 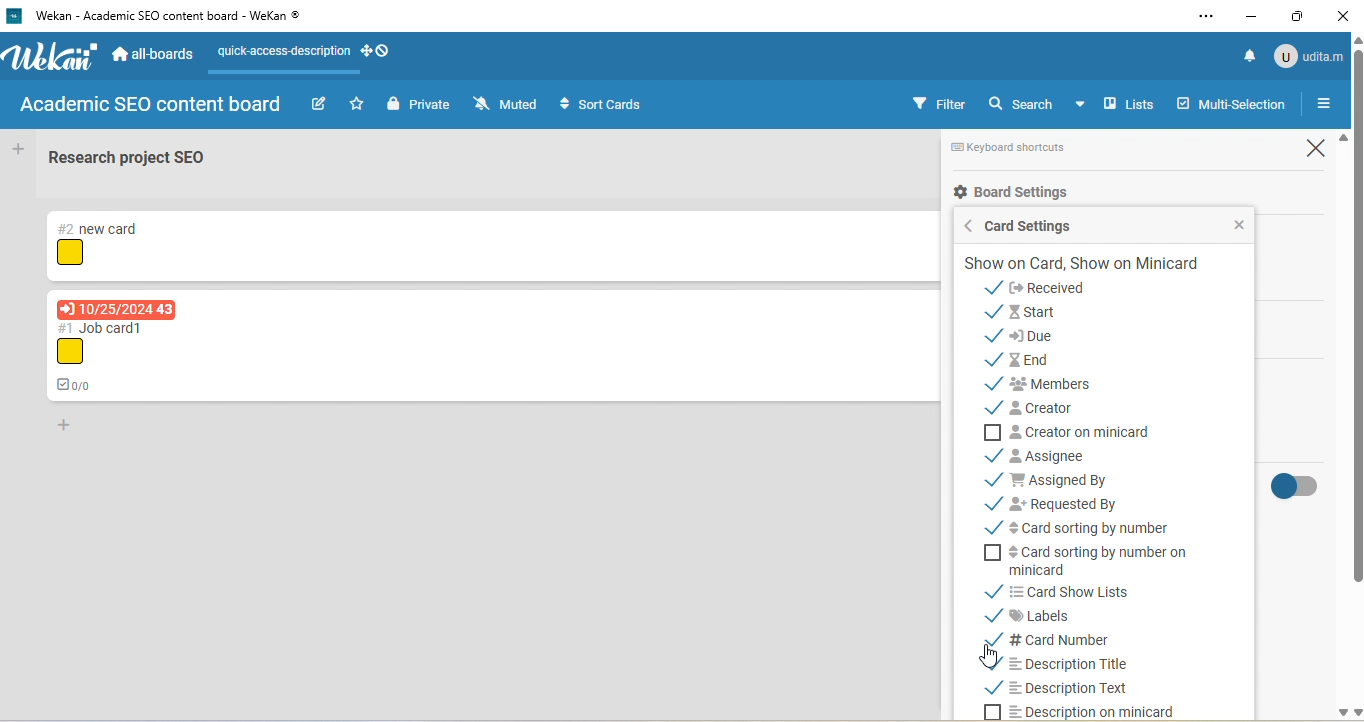 What do you see at coordinates (505, 103) in the screenshot?
I see `muted` at bounding box center [505, 103].